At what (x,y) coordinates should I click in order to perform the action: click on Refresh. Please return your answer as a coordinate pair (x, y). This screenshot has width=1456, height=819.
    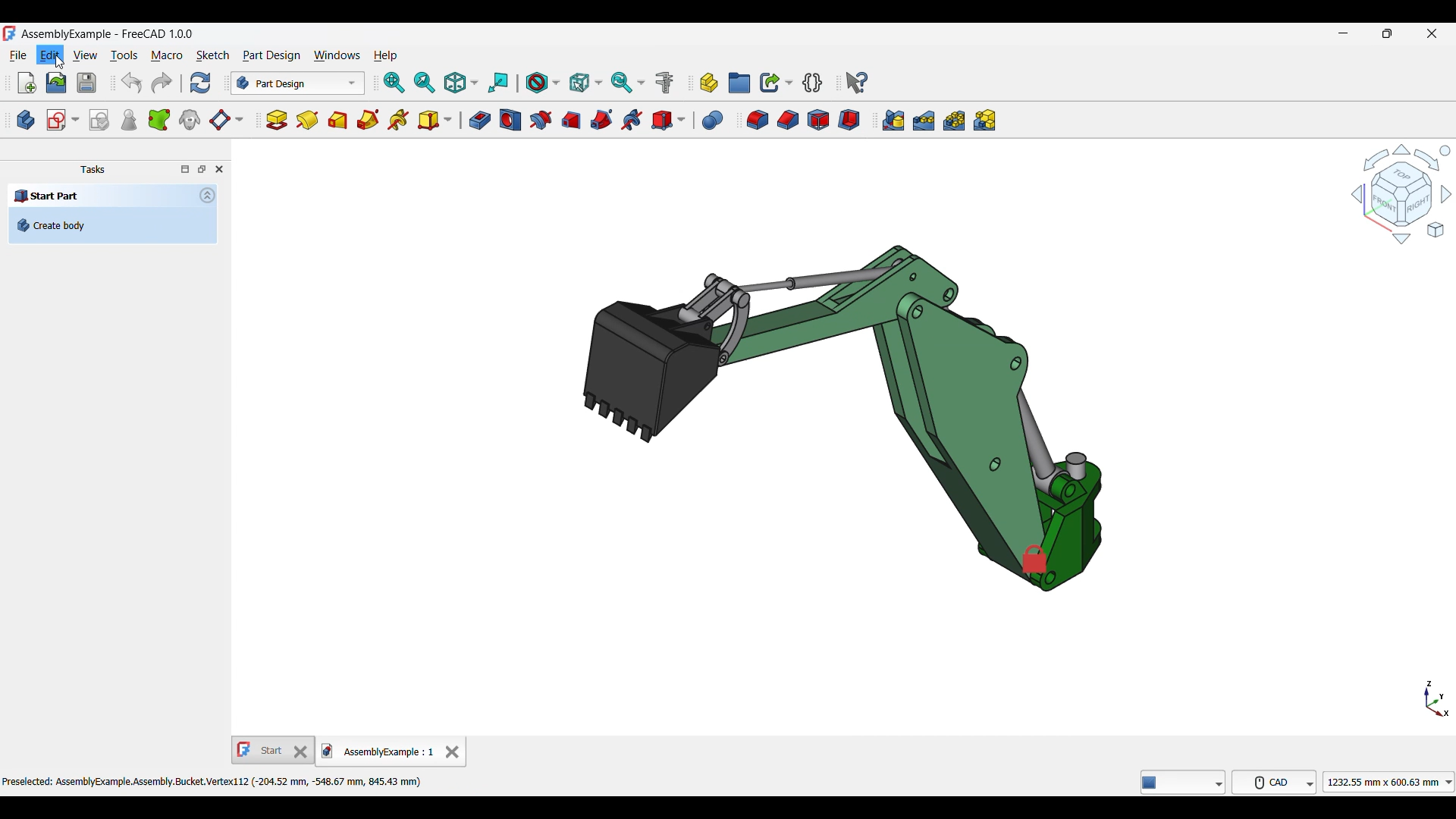
    Looking at the image, I should click on (199, 83).